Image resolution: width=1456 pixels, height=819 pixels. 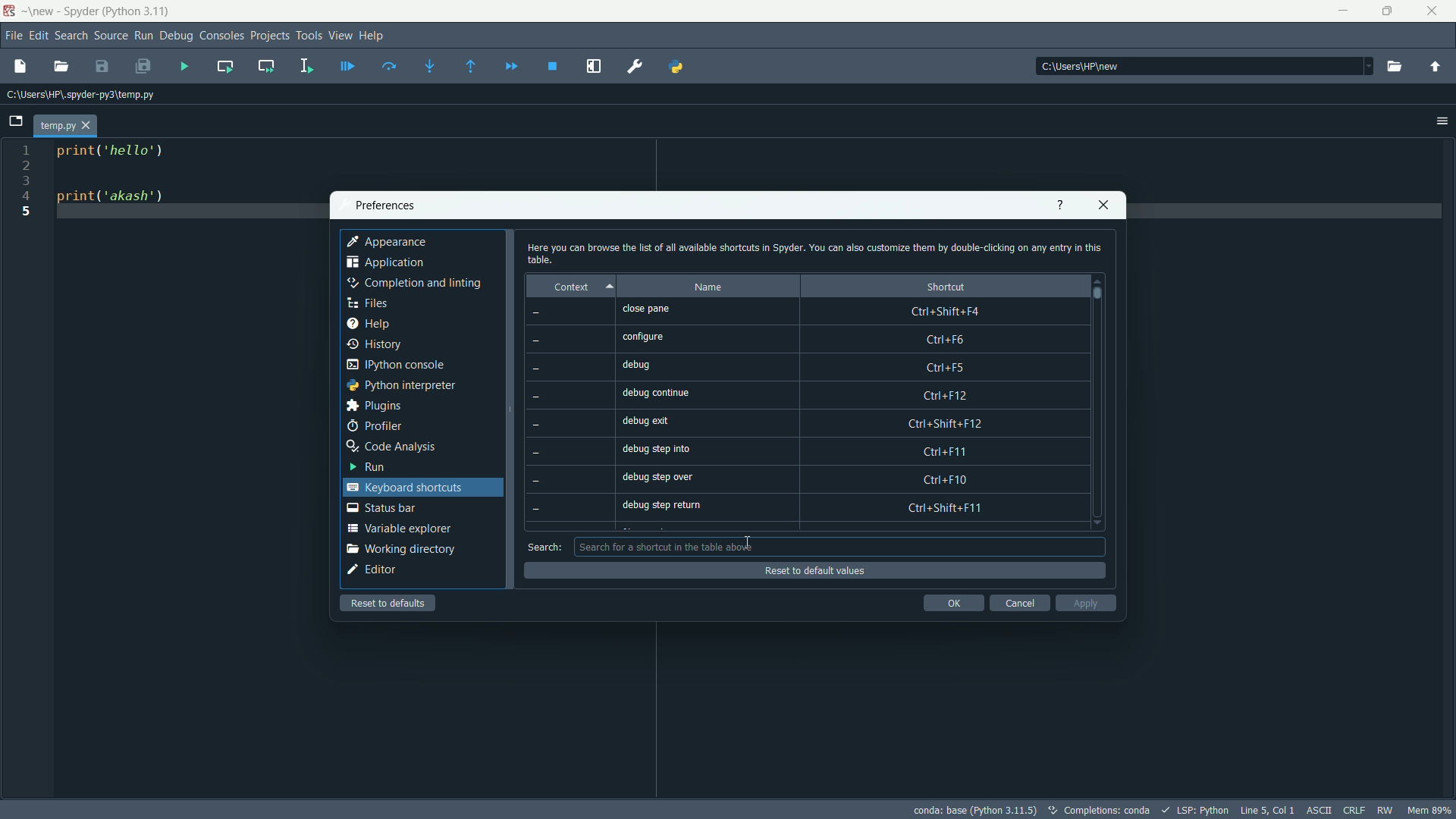 What do you see at coordinates (836, 547) in the screenshot?
I see `search bar` at bounding box center [836, 547].